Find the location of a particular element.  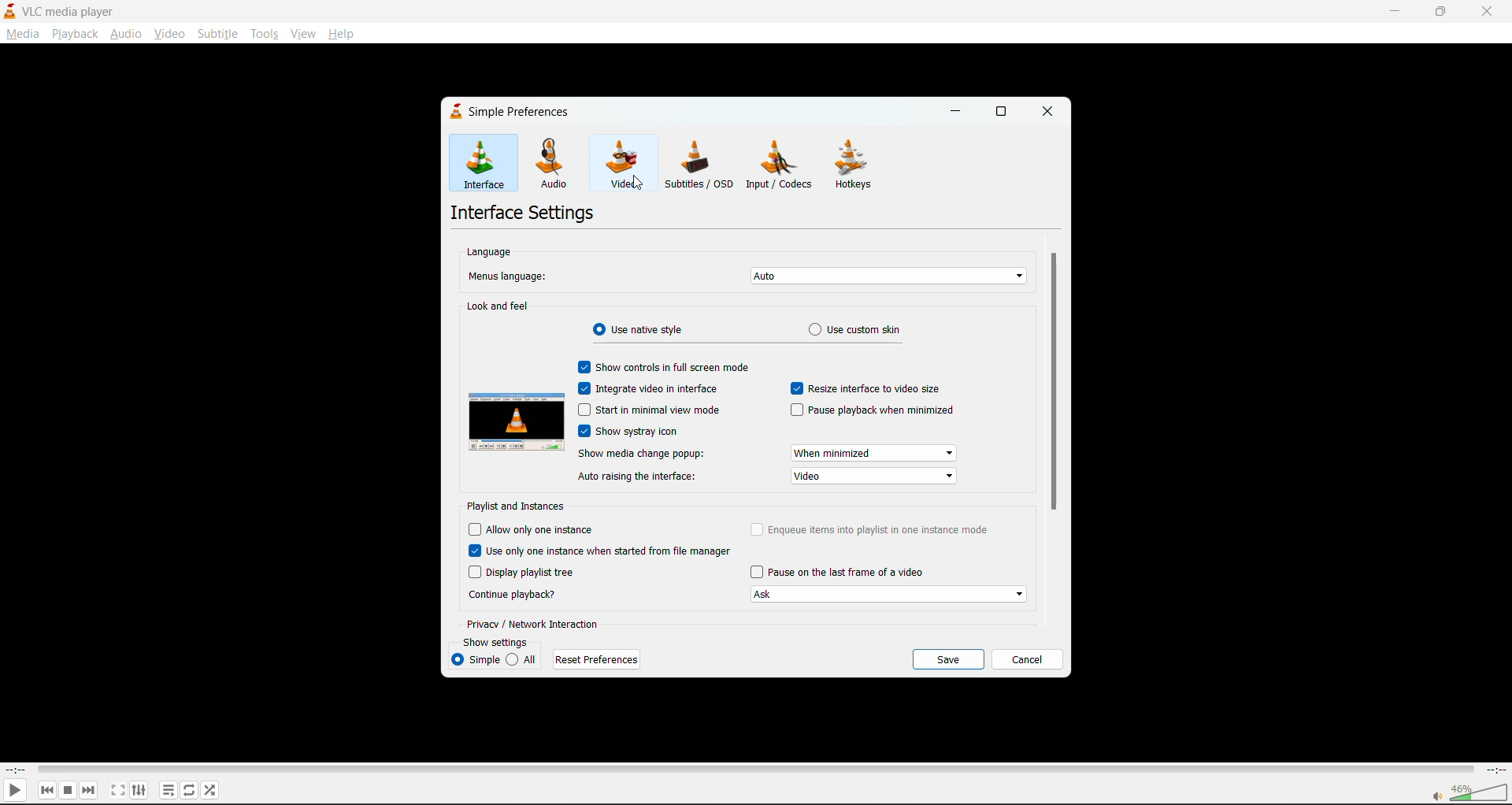

playlist is located at coordinates (168, 789).